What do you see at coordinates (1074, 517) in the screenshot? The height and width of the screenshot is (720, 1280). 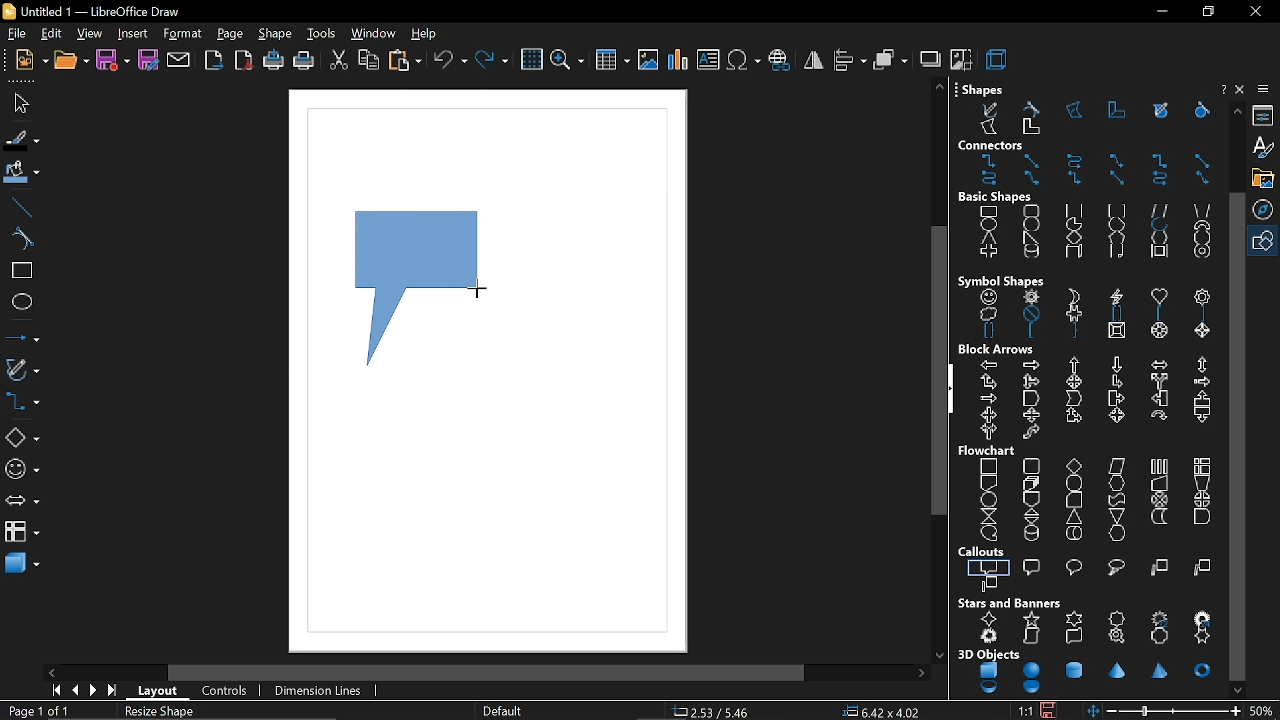 I see `extract` at bounding box center [1074, 517].